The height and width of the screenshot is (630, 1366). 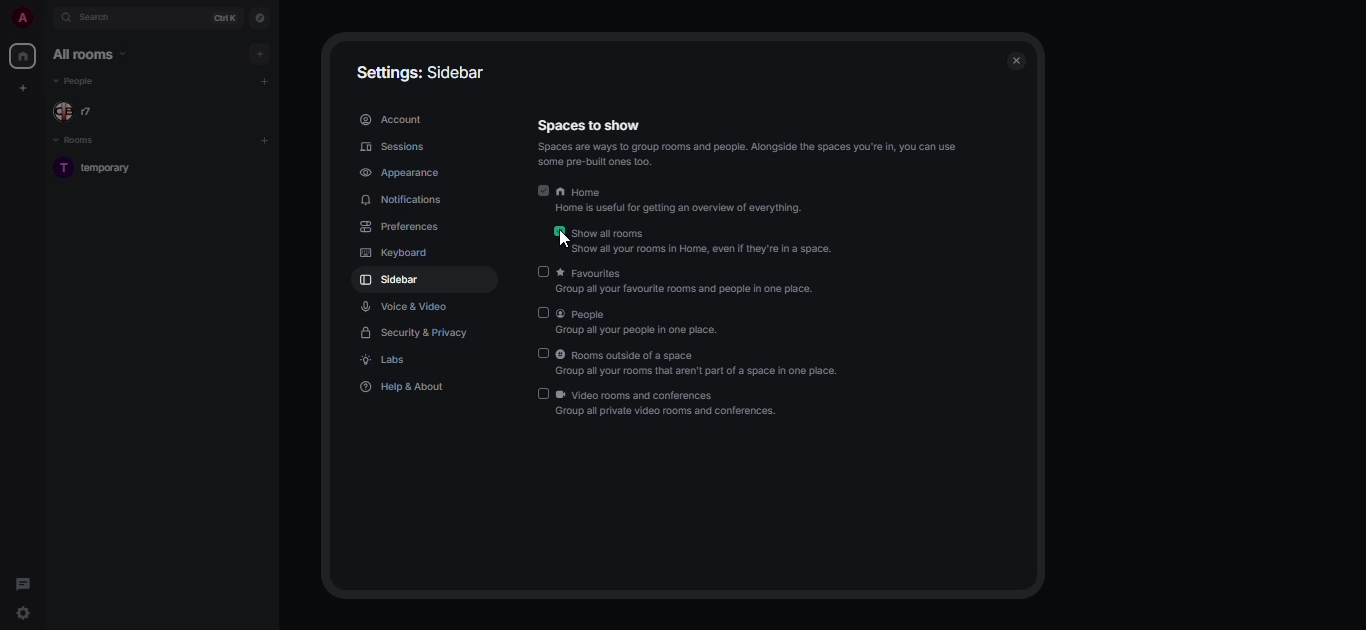 What do you see at coordinates (109, 169) in the screenshot?
I see `room` at bounding box center [109, 169].